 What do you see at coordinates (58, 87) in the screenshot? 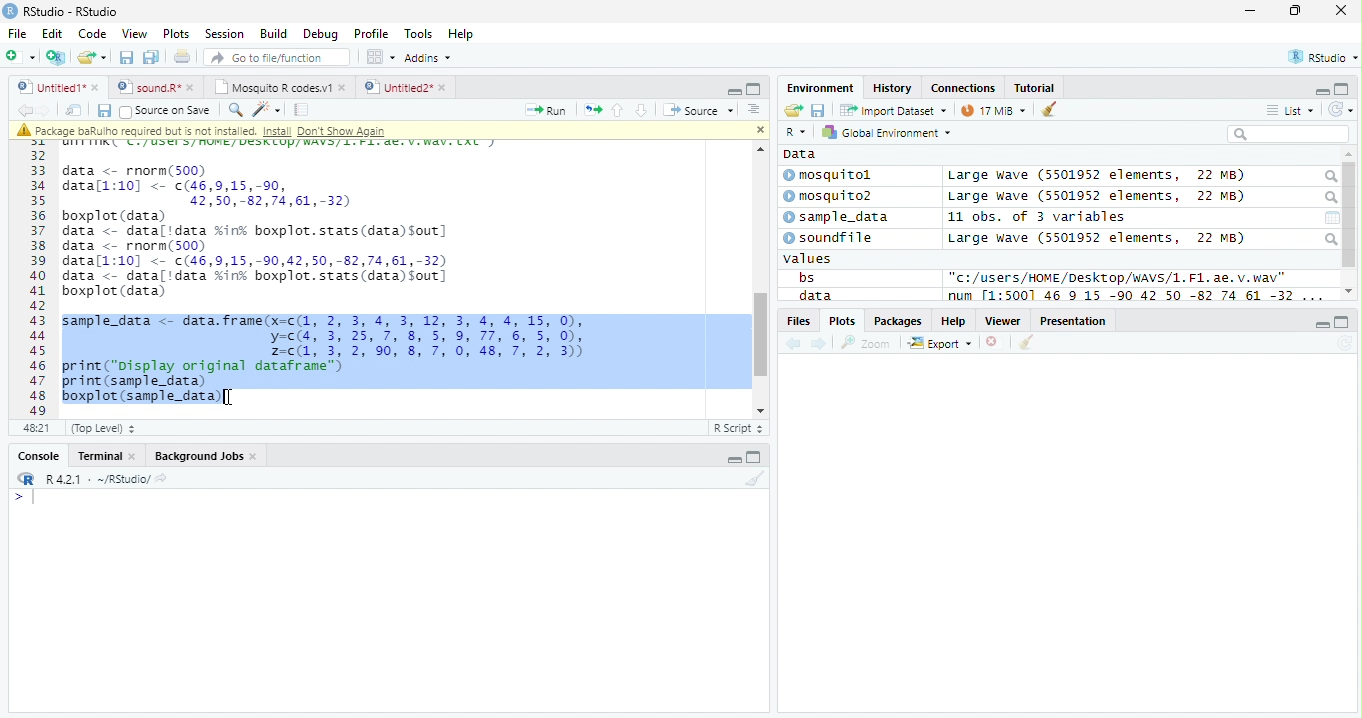
I see `Untitied1*` at bounding box center [58, 87].